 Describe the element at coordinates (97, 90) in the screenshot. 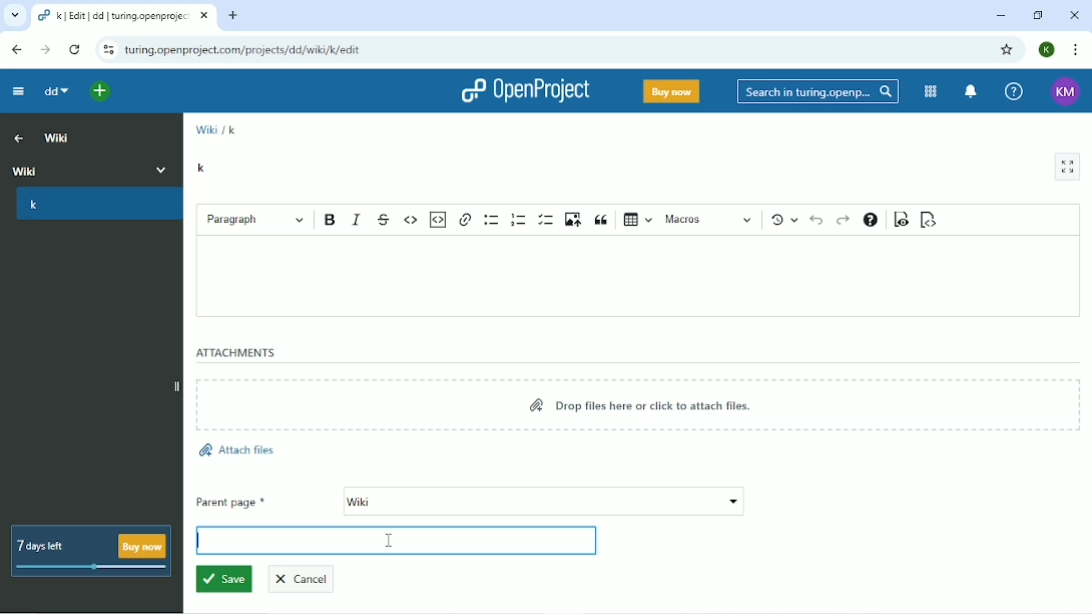

I see `Open quick add menu` at that location.